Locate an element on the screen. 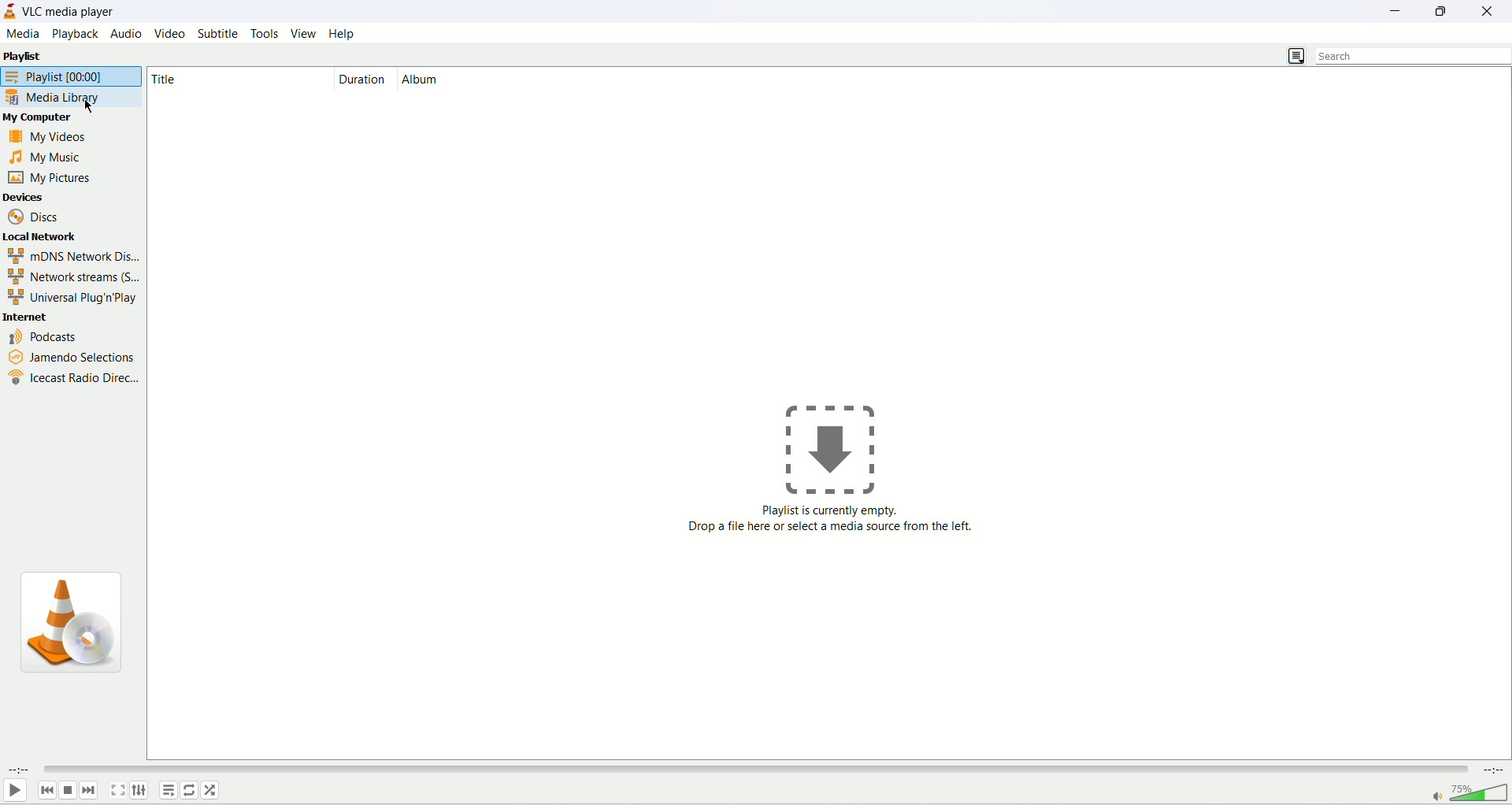 This screenshot has width=1512, height=805. playback is located at coordinates (76, 33).